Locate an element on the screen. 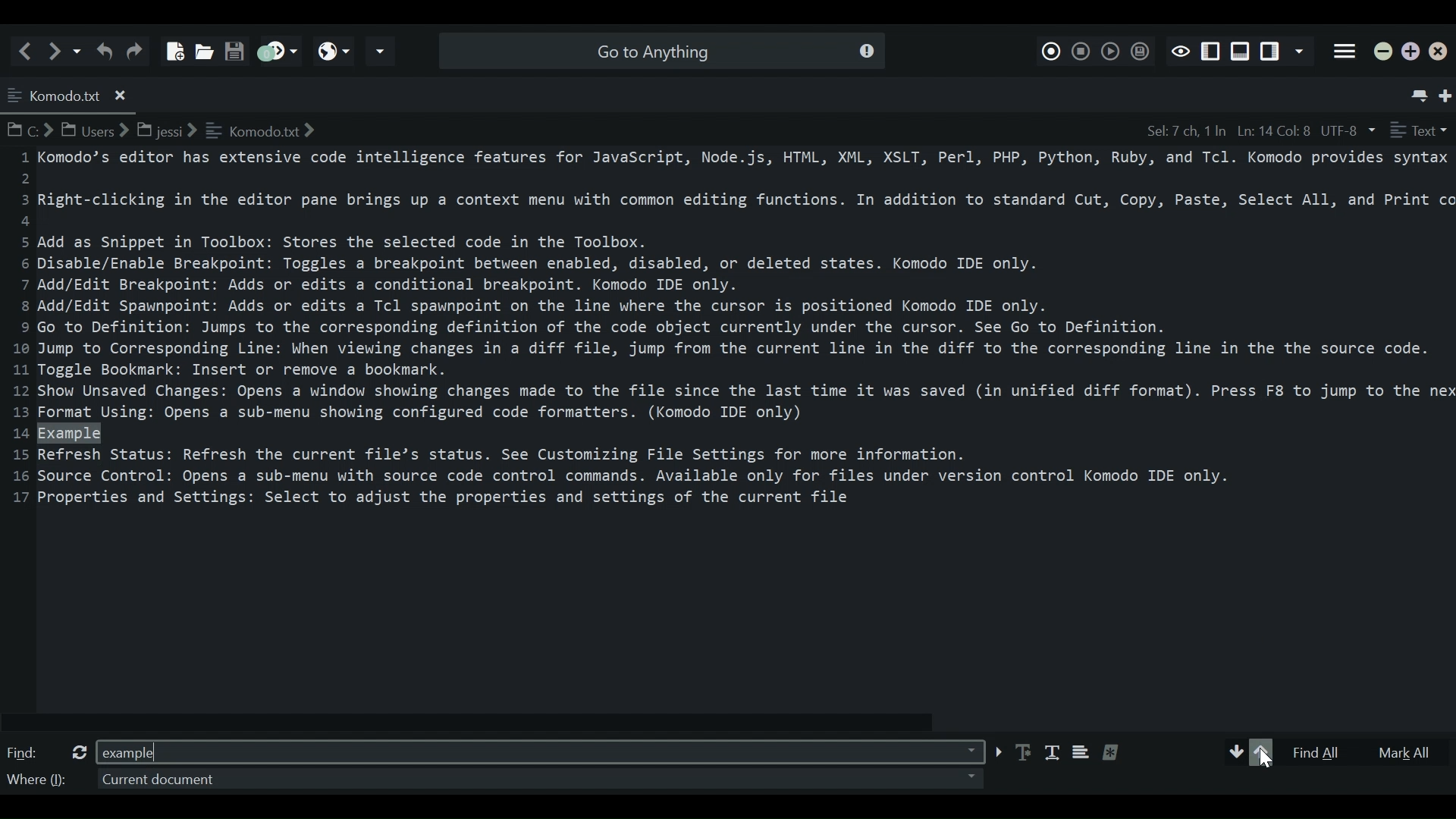 This screenshot has height=819, width=1456. Show/Hide Right Pane is located at coordinates (1211, 52).